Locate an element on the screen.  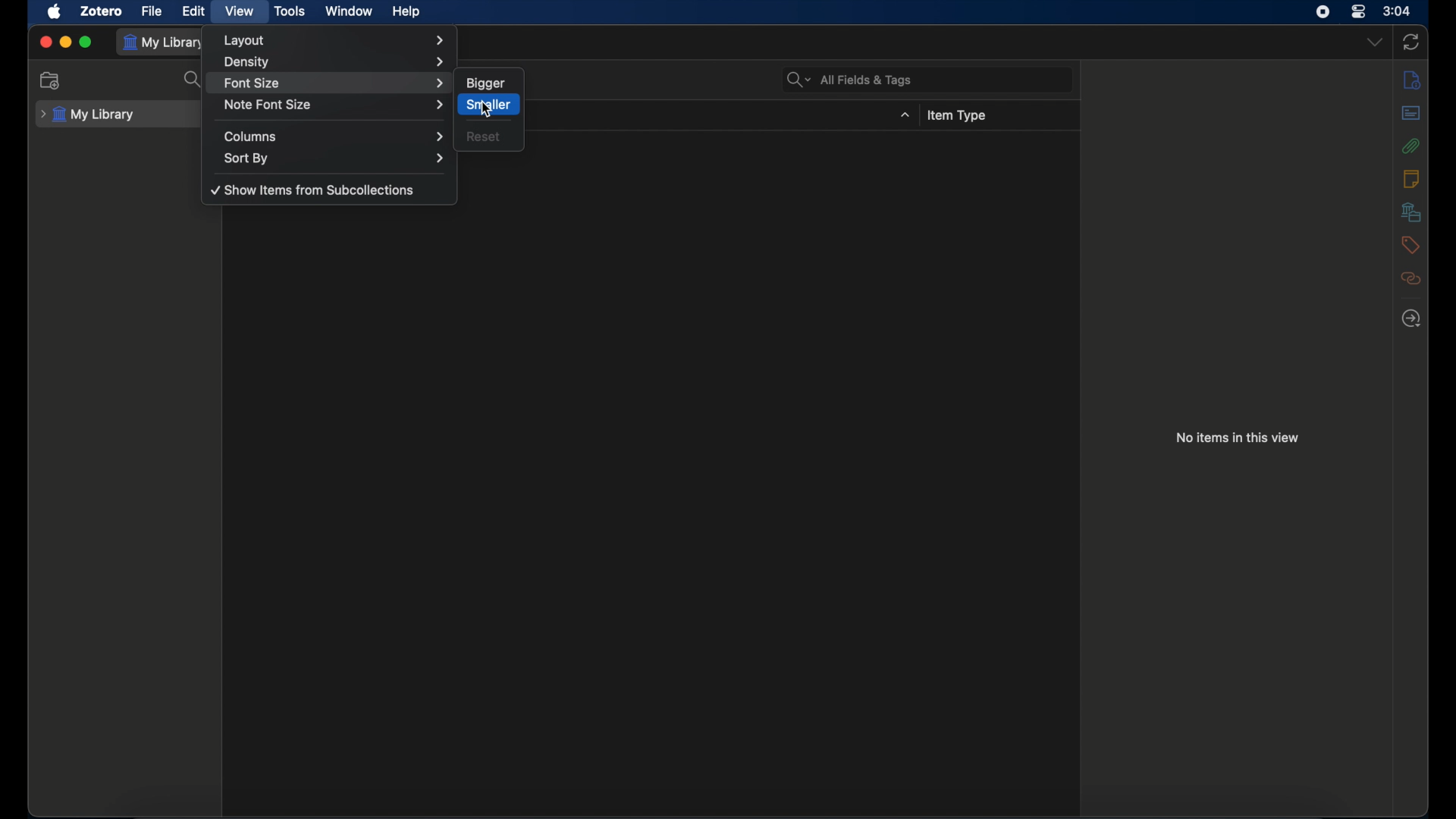
time is located at coordinates (1397, 10).